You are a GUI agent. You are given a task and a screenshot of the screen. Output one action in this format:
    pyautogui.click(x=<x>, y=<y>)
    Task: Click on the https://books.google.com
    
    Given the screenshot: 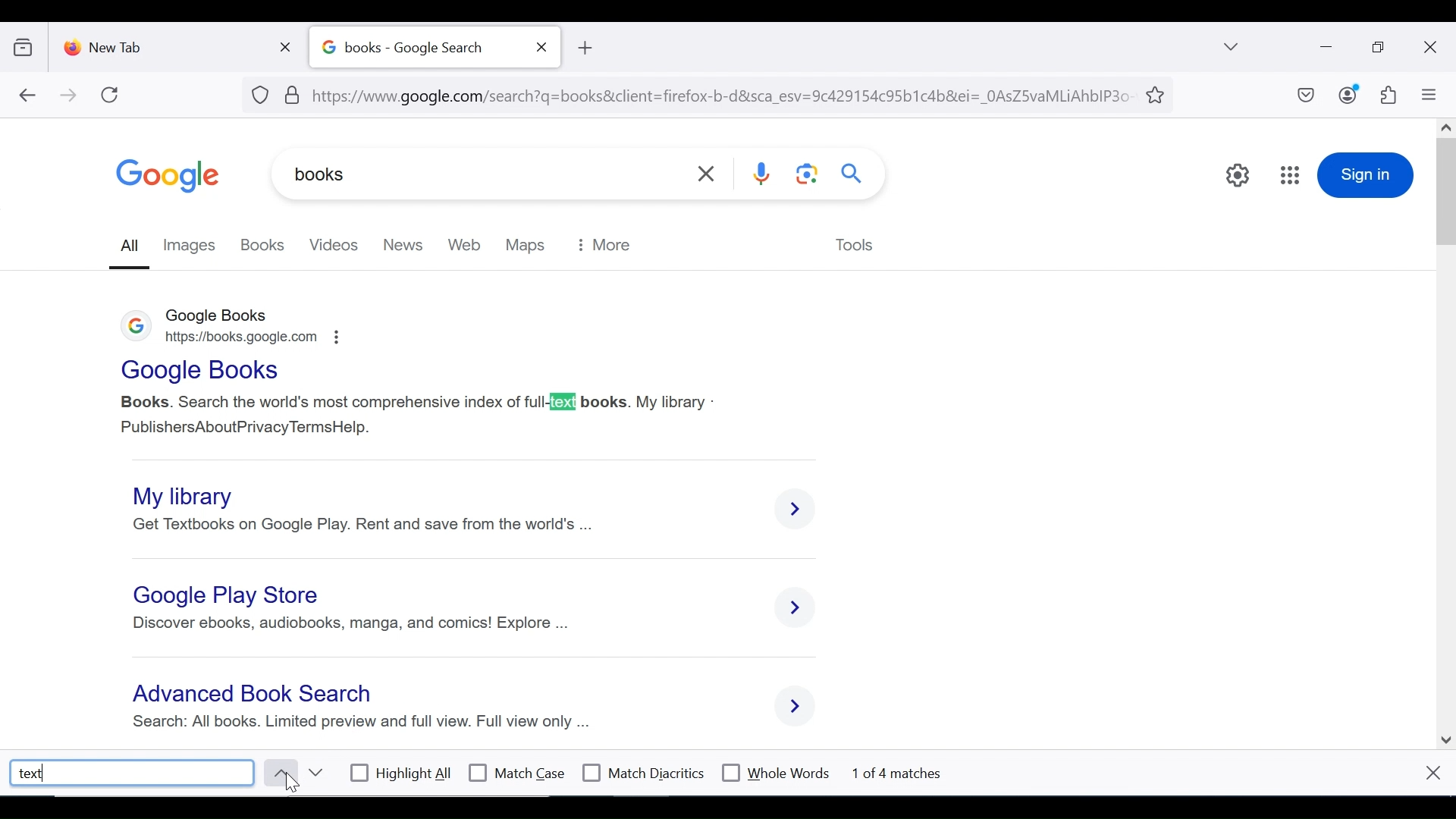 What is the action you would take?
    pyautogui.click(x=255, y=337)
    